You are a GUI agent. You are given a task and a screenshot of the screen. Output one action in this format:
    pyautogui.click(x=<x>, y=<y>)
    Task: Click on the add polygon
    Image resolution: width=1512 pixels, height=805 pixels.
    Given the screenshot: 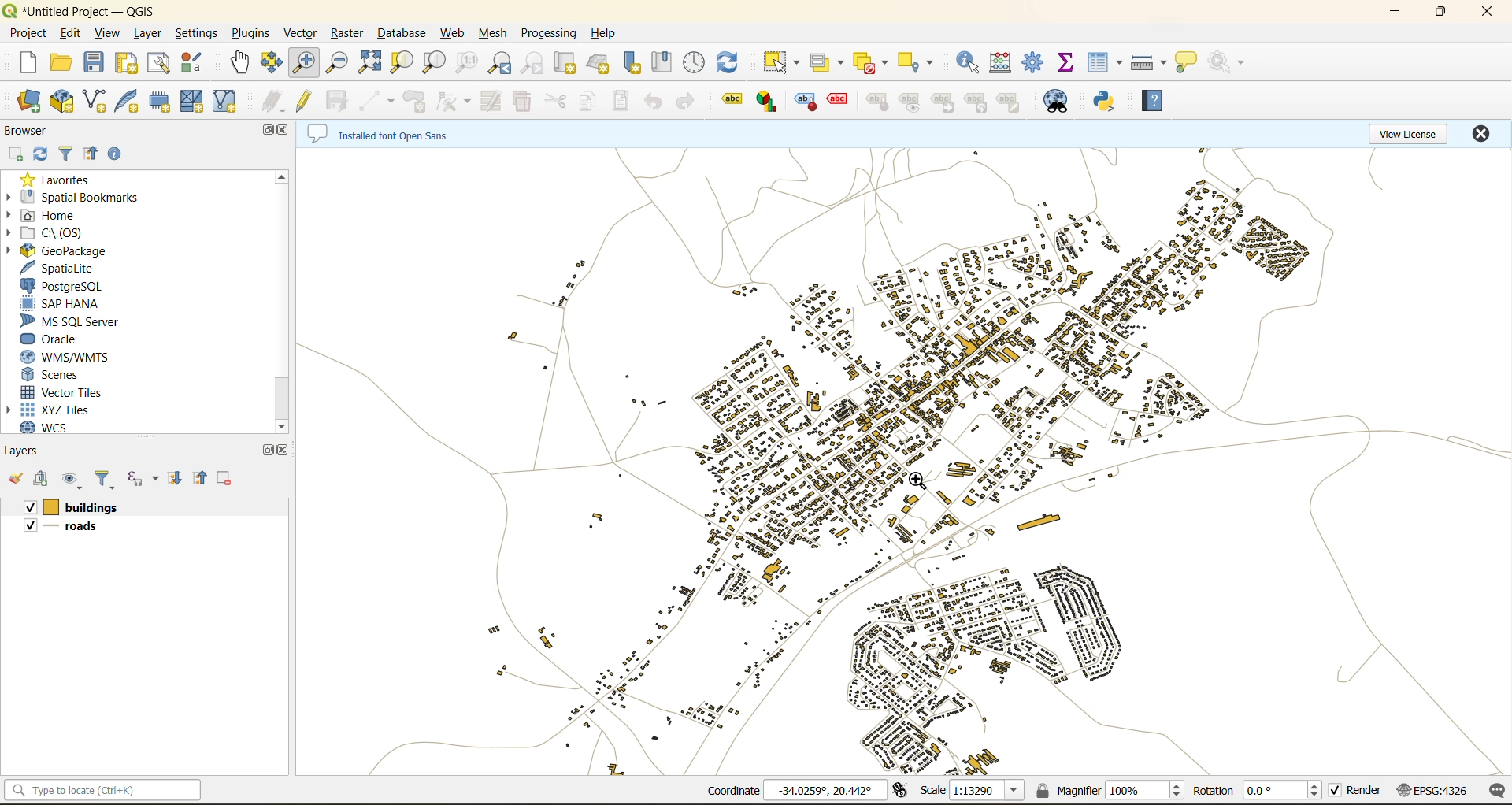 What is the action you would take?
    pyautogui.click(x=417, y=103)
    